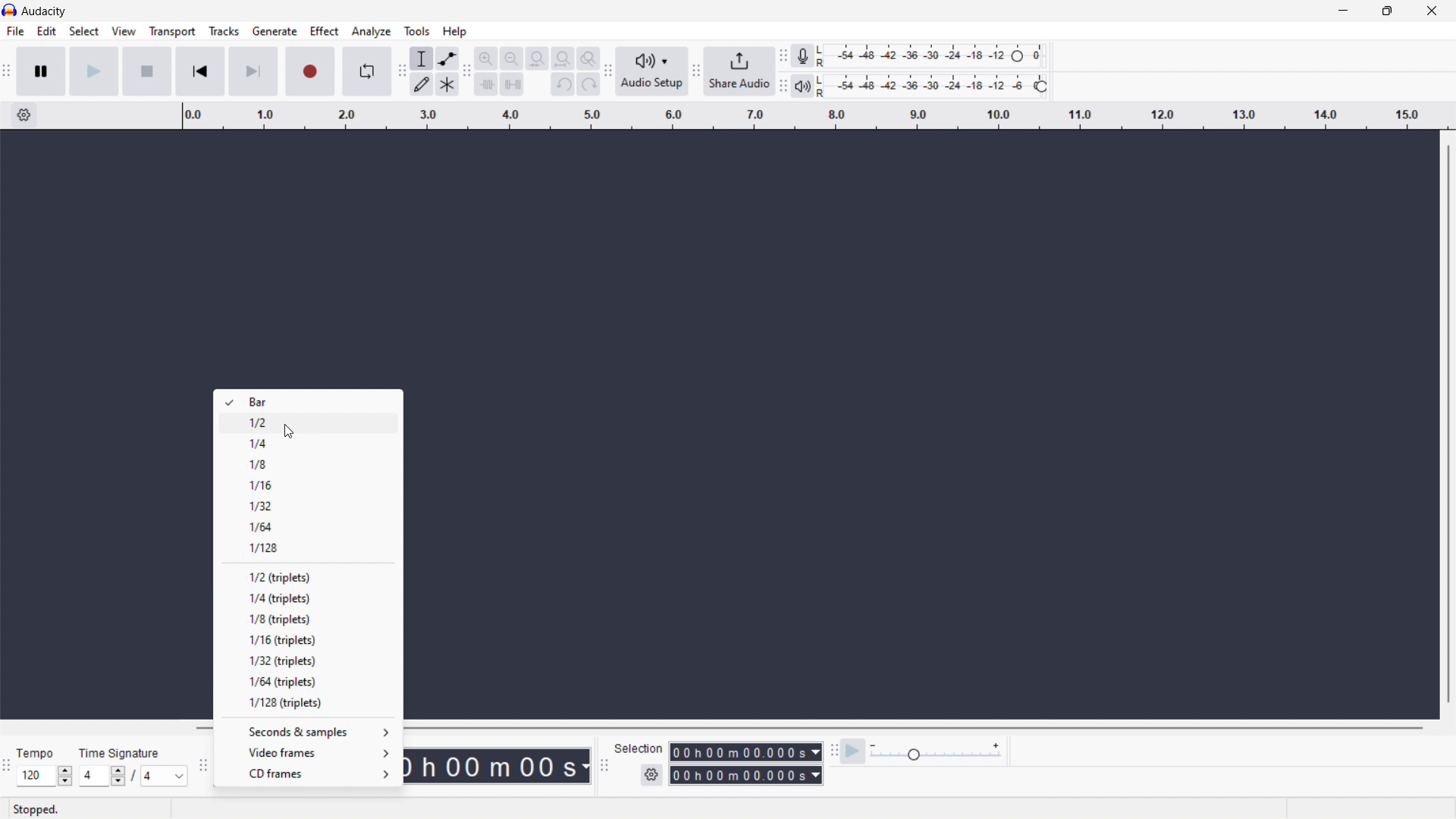 This screenshot has width=1456, height=819. Describe the element at coordinates (487, 58) in the screenshot. I see `zoom in` at that location.